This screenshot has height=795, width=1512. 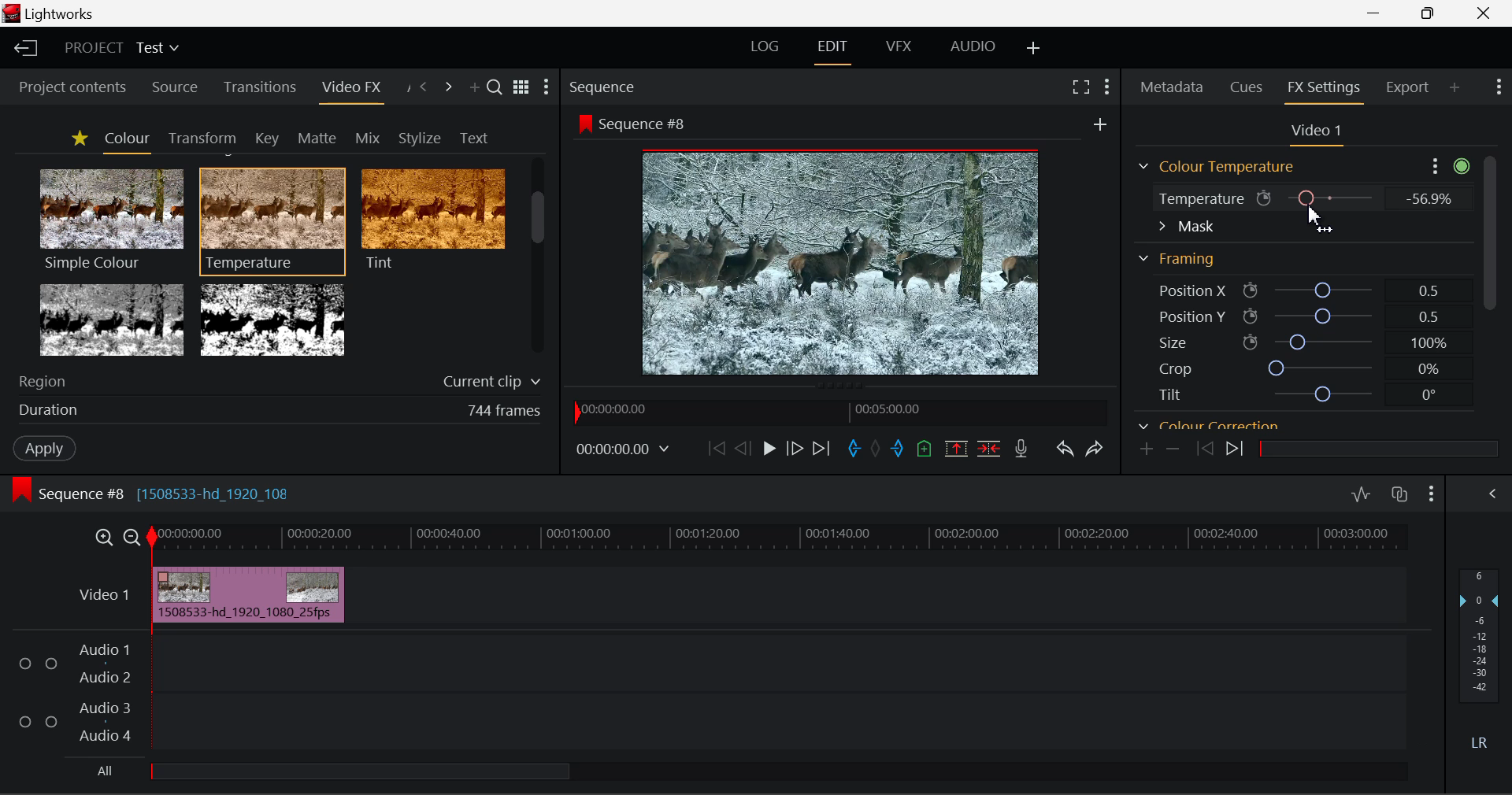 What do you see at coordinates (102, 651) in the screenshot?
I see `Audio 1` at bounding box center [102, 651].